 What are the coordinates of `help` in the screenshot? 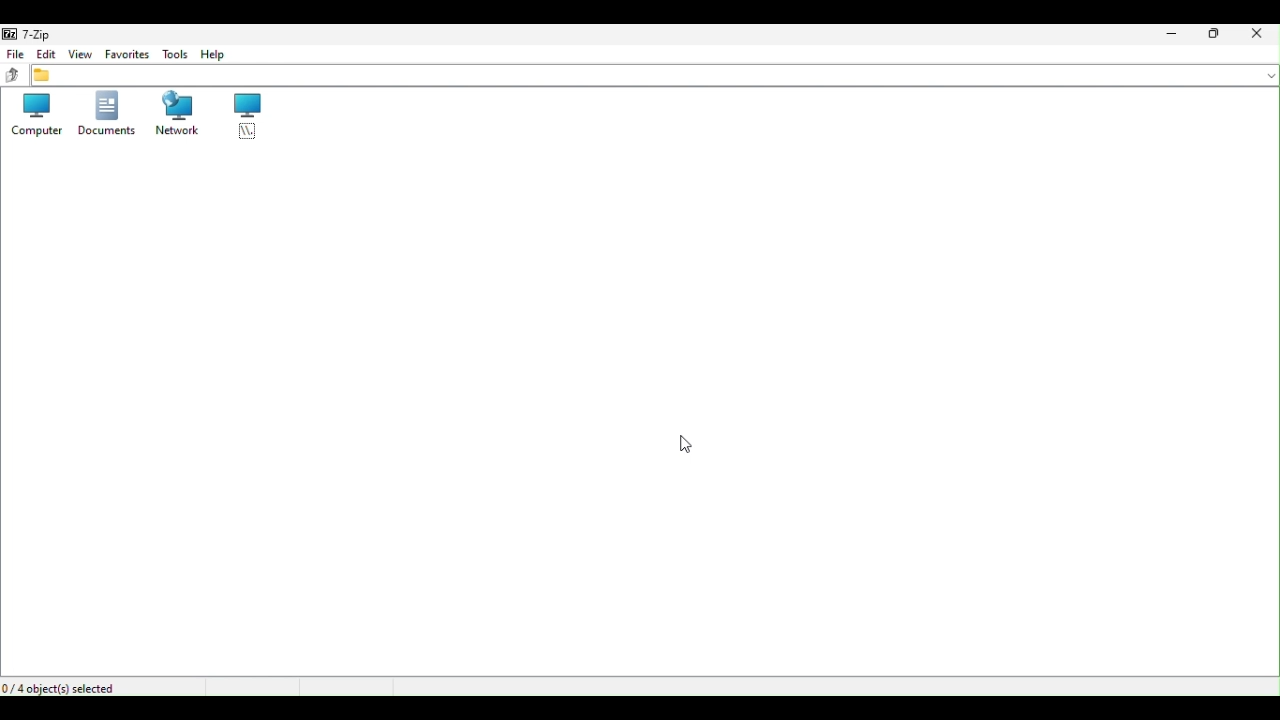 It's located at (215, 53).